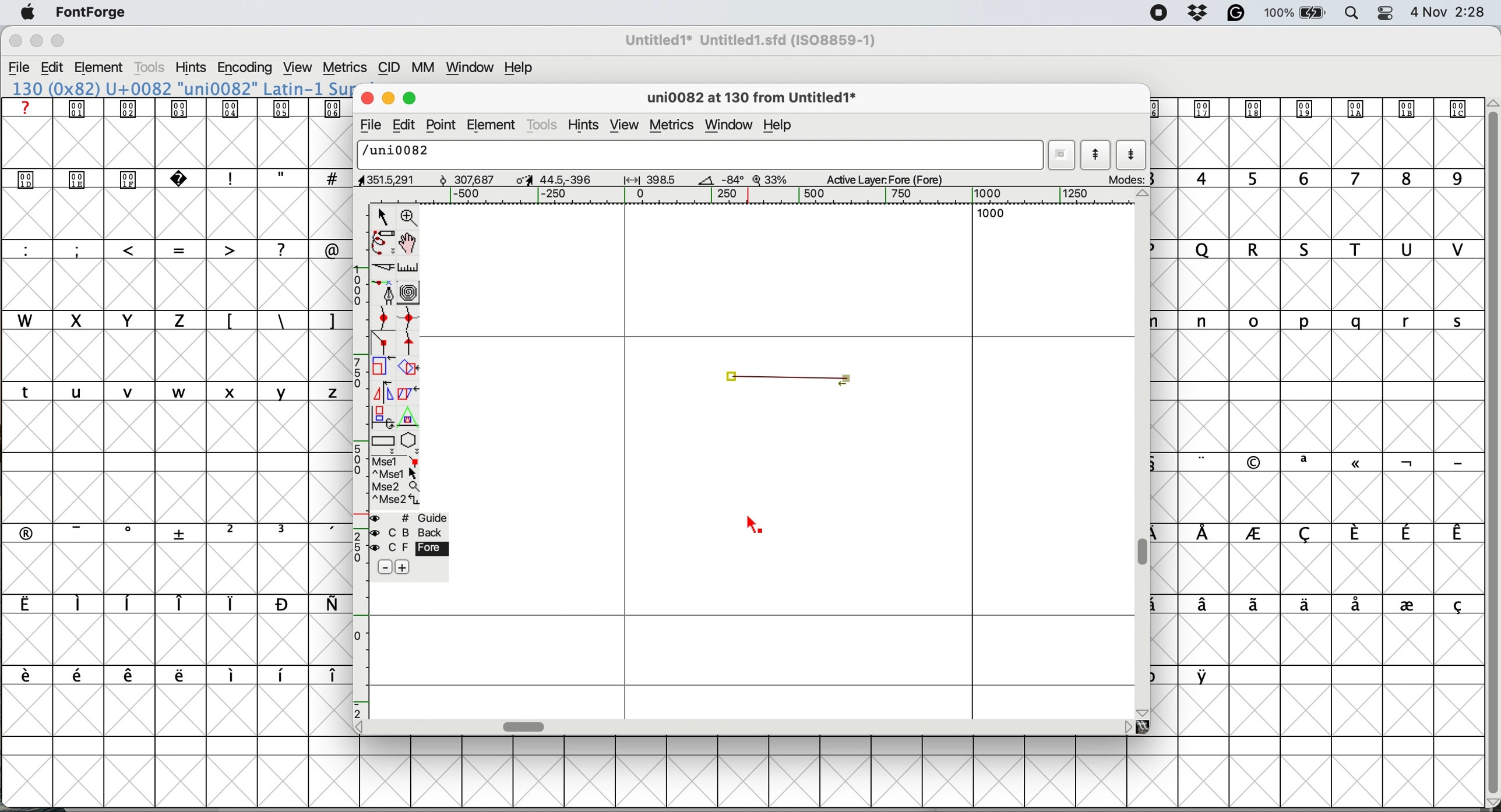 The width and height of the screenshot is (1501, 812). I want to click on special characters, so click(177, 249).